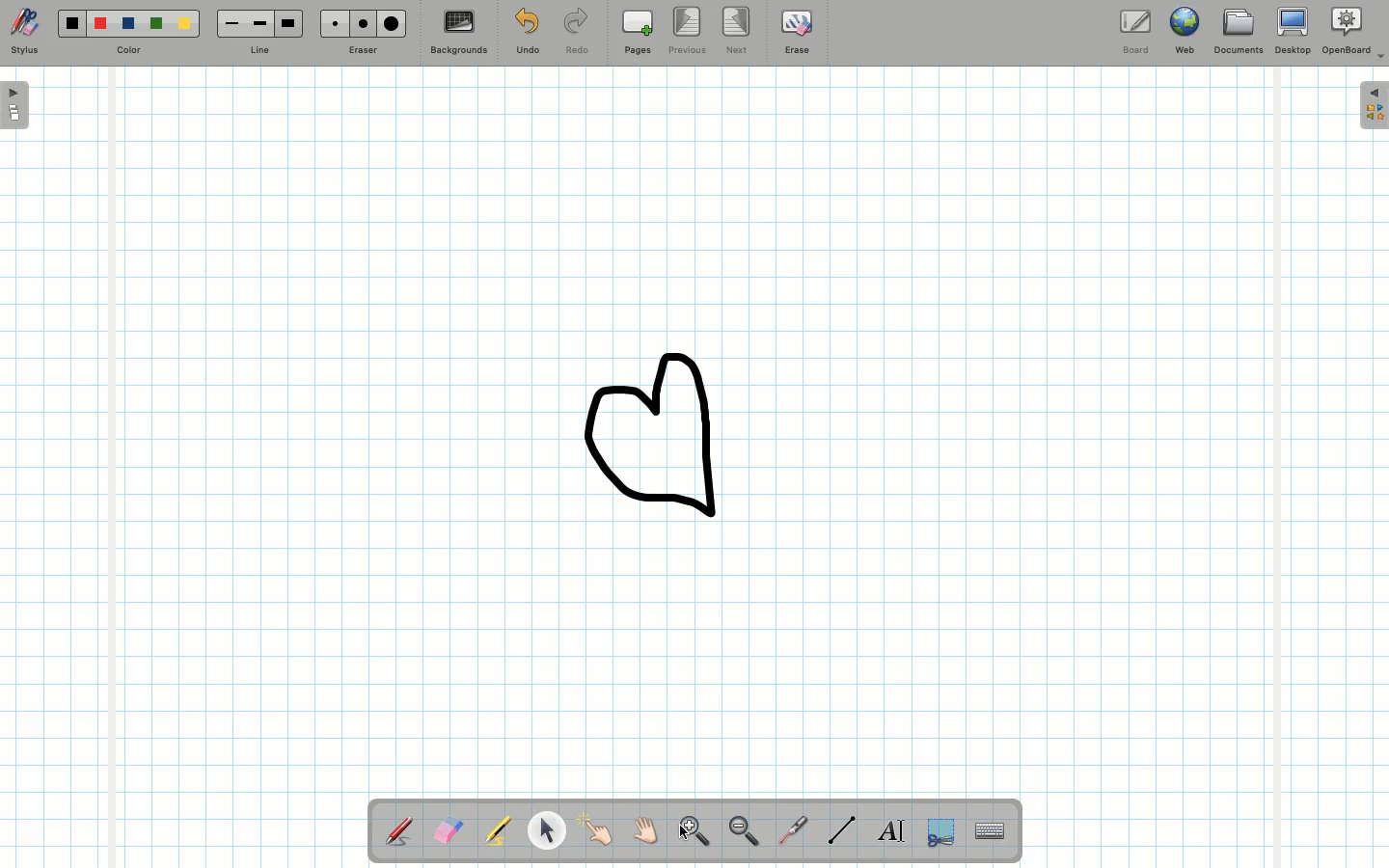 The height and width of the screenshot is (868, 1389). Describe the element at coordinates (670, 435) in the screenshot. I see `Drawing in the drawing space` at that location.